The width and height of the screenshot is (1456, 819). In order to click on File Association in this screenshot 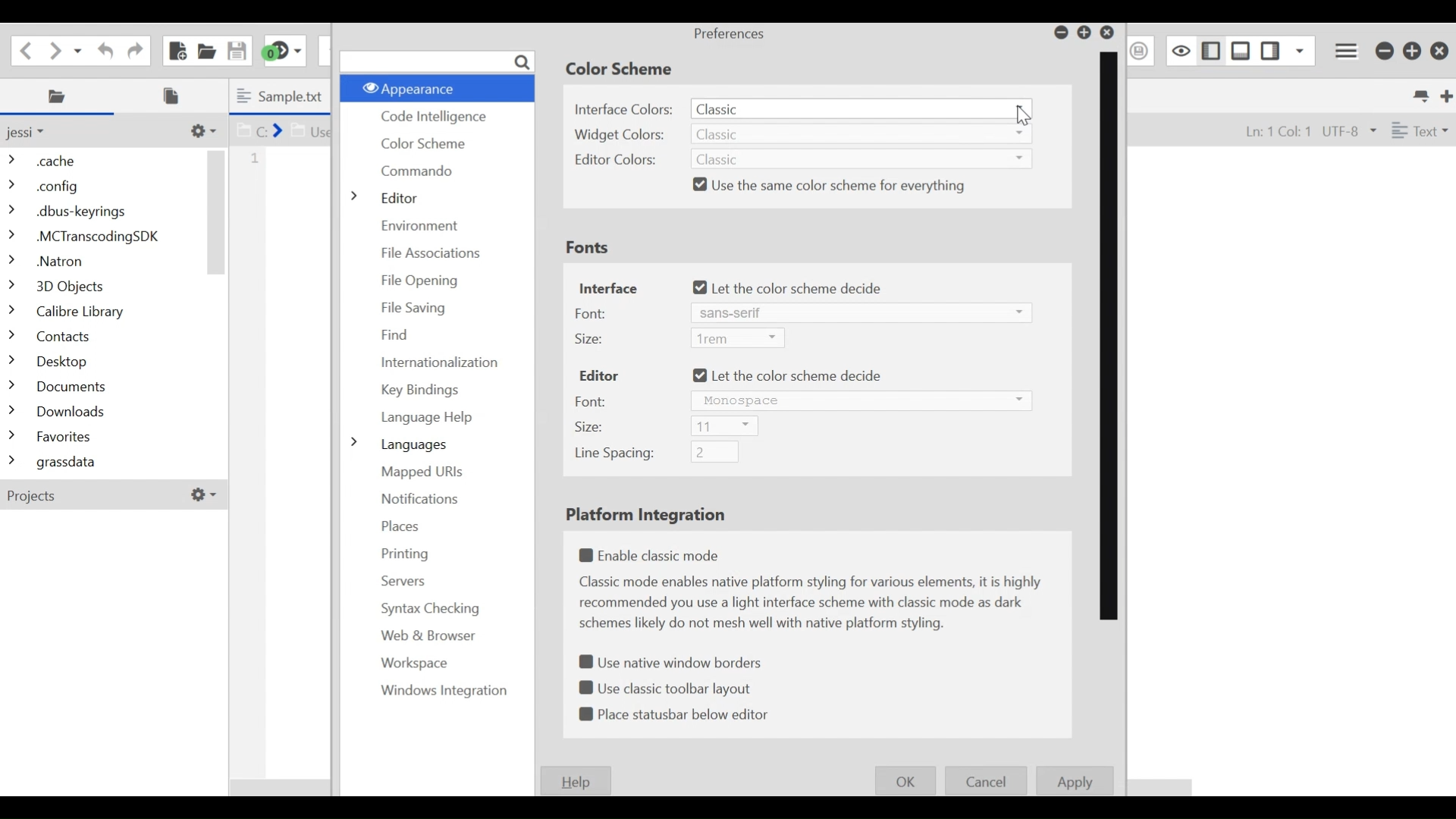, I will do `click(433, 253)`.